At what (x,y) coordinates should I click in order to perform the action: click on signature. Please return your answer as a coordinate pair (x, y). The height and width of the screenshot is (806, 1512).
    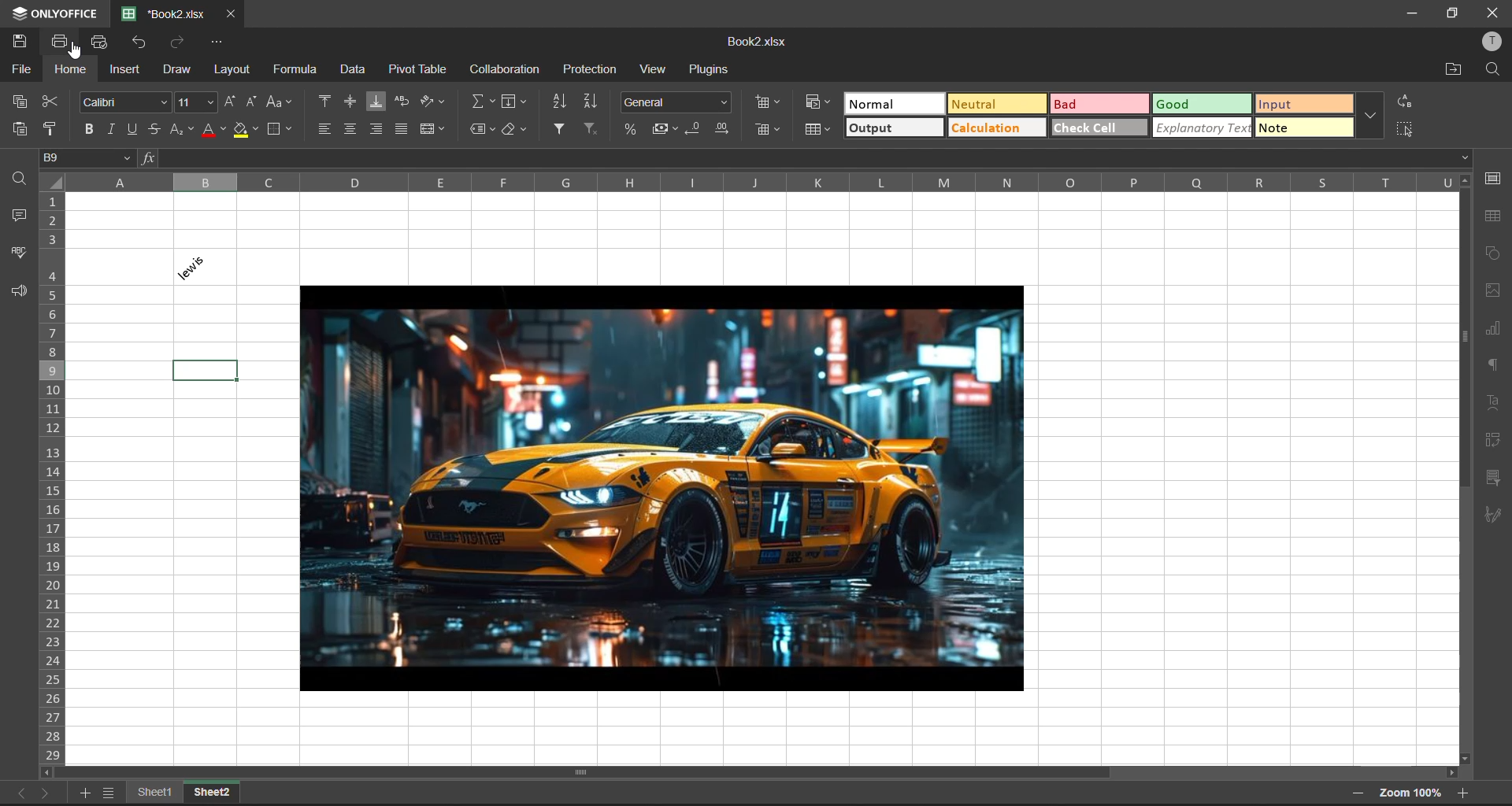
    Looking at the image, I should click on (1493, 518).